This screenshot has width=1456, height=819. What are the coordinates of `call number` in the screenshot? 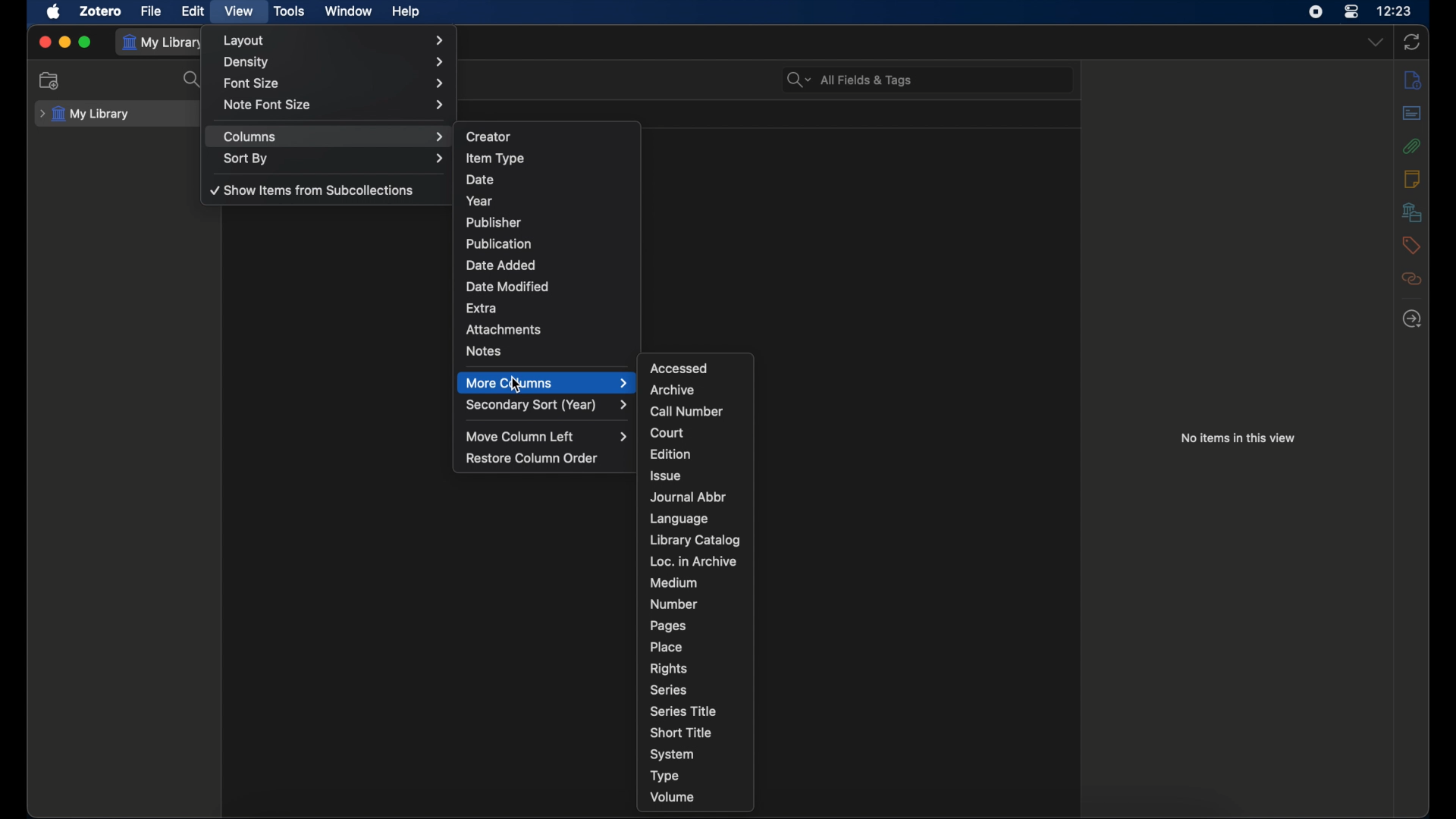 It's located at (688, 412).